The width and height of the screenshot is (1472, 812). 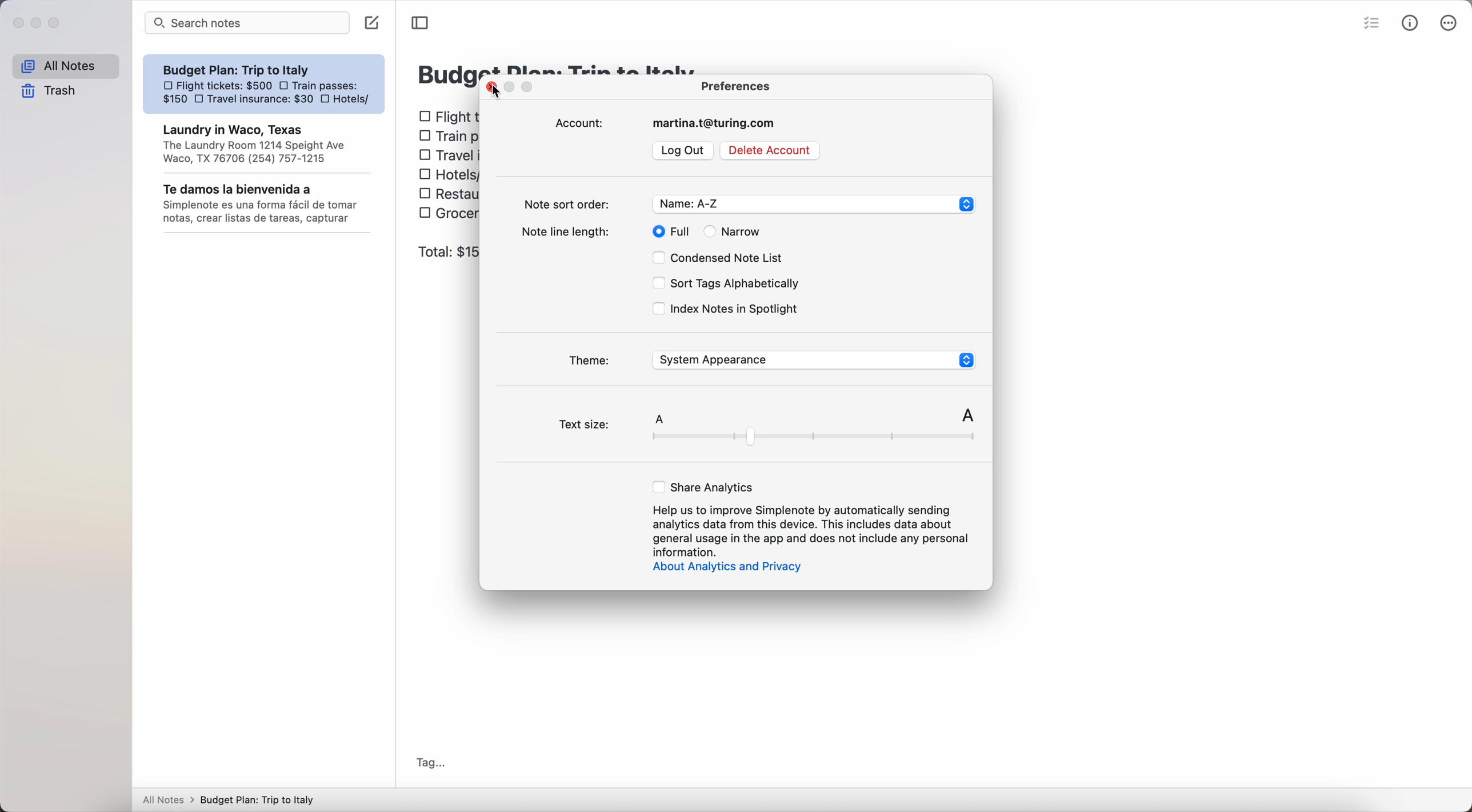 I want to click on Budget Plan: Trip to Italy note, so click(x=265, y=143).